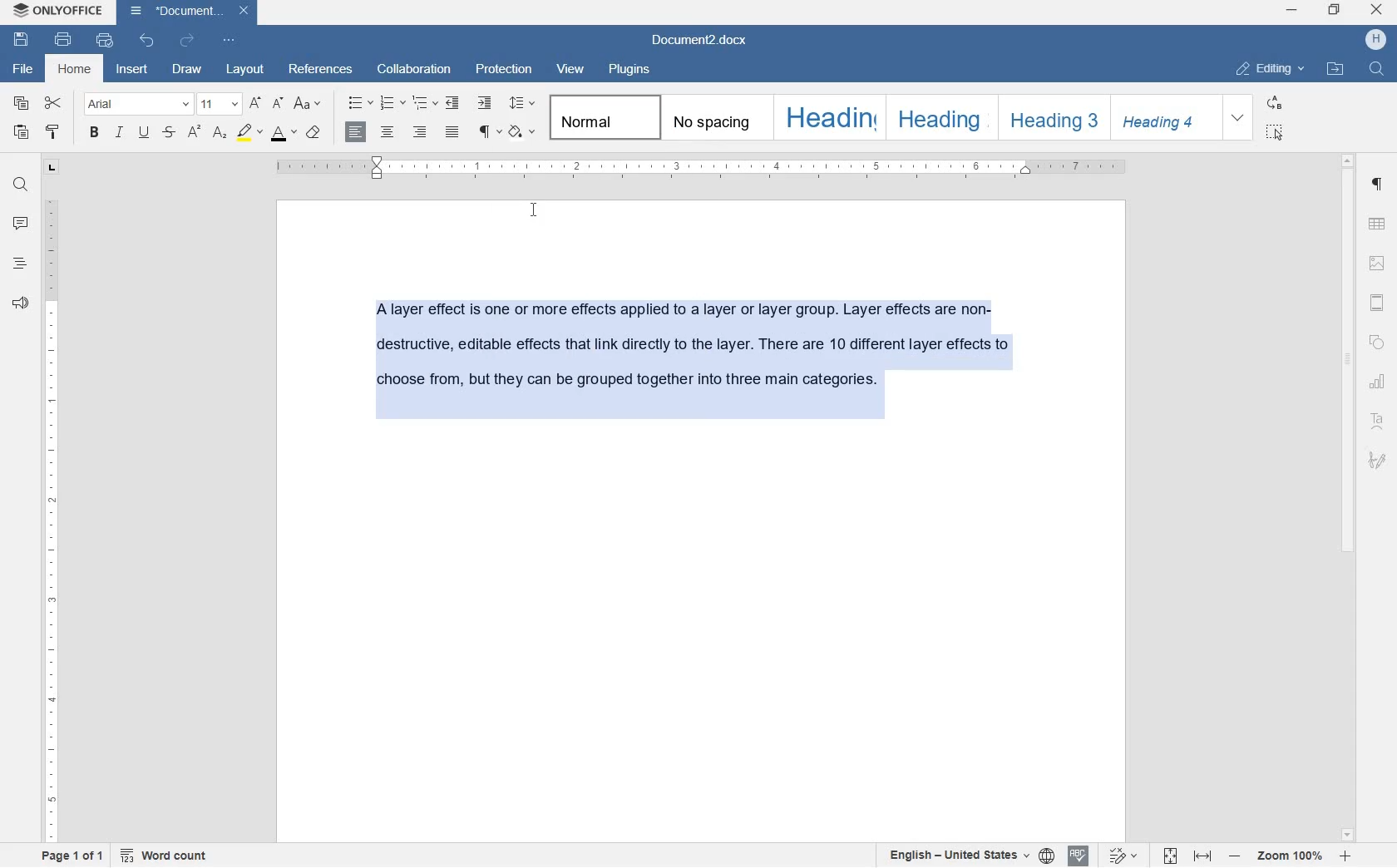 The image size is (1397, 868). What do you see at coordinates (230, 42) in the screenshot?
I see `customize quick access toolbar` at bounding box center [230, 42].